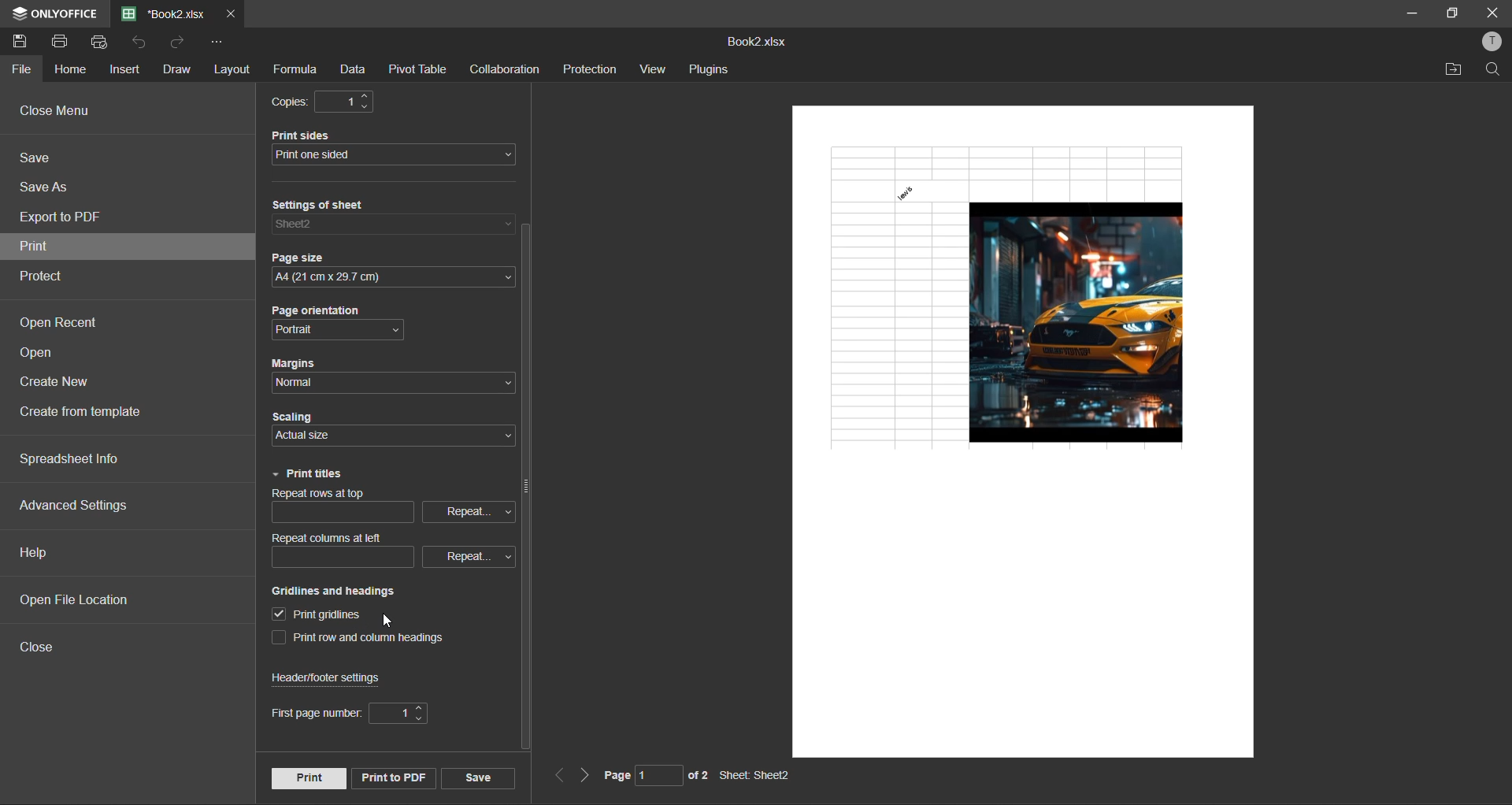 The image size is (1512, 805). Describe the element at coordinates (297, 223) in the screenshot. I see `sheet 2` at that location.